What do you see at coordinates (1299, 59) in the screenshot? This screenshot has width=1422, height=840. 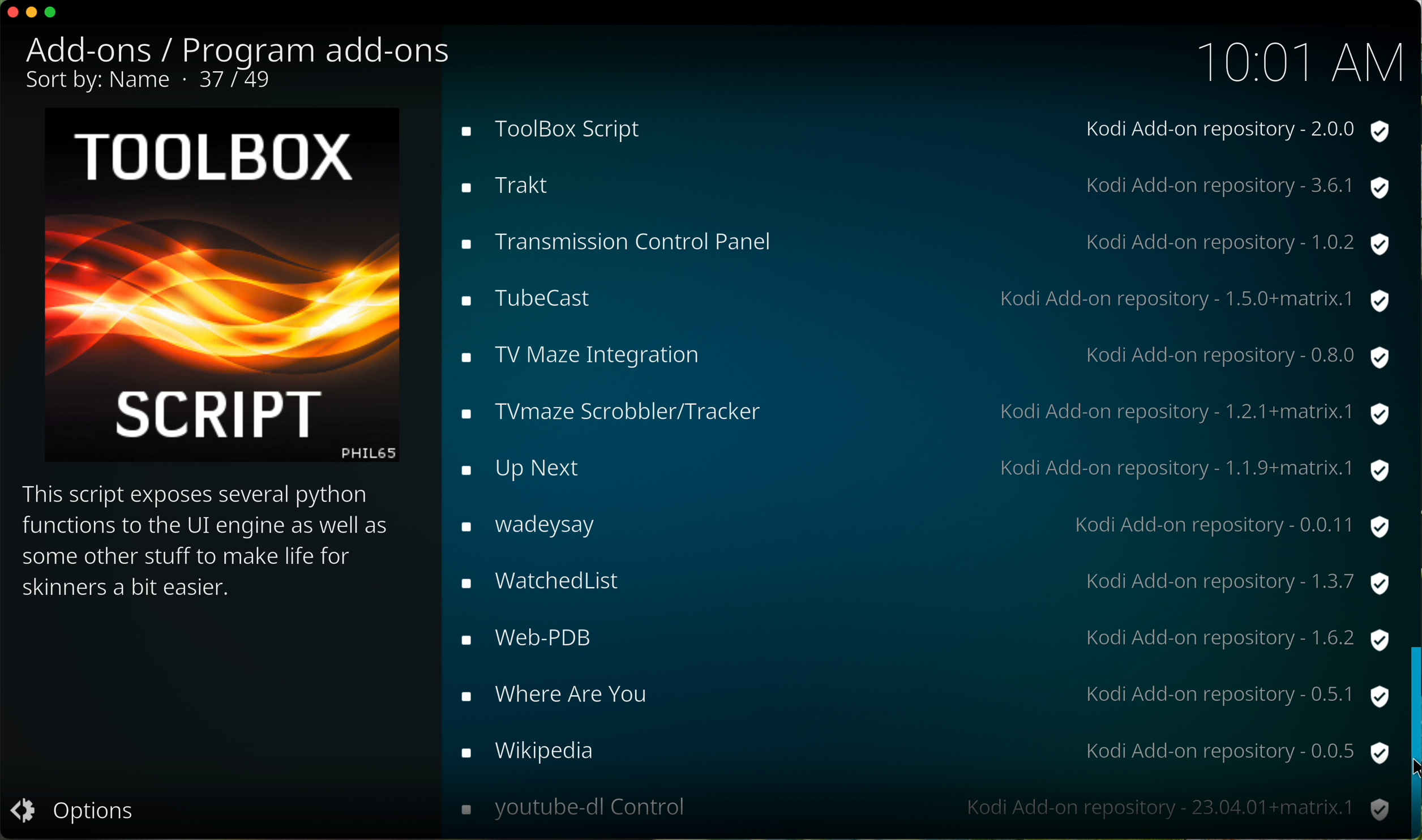 I see `10:01 AM` at bounding box center [1299, 59].